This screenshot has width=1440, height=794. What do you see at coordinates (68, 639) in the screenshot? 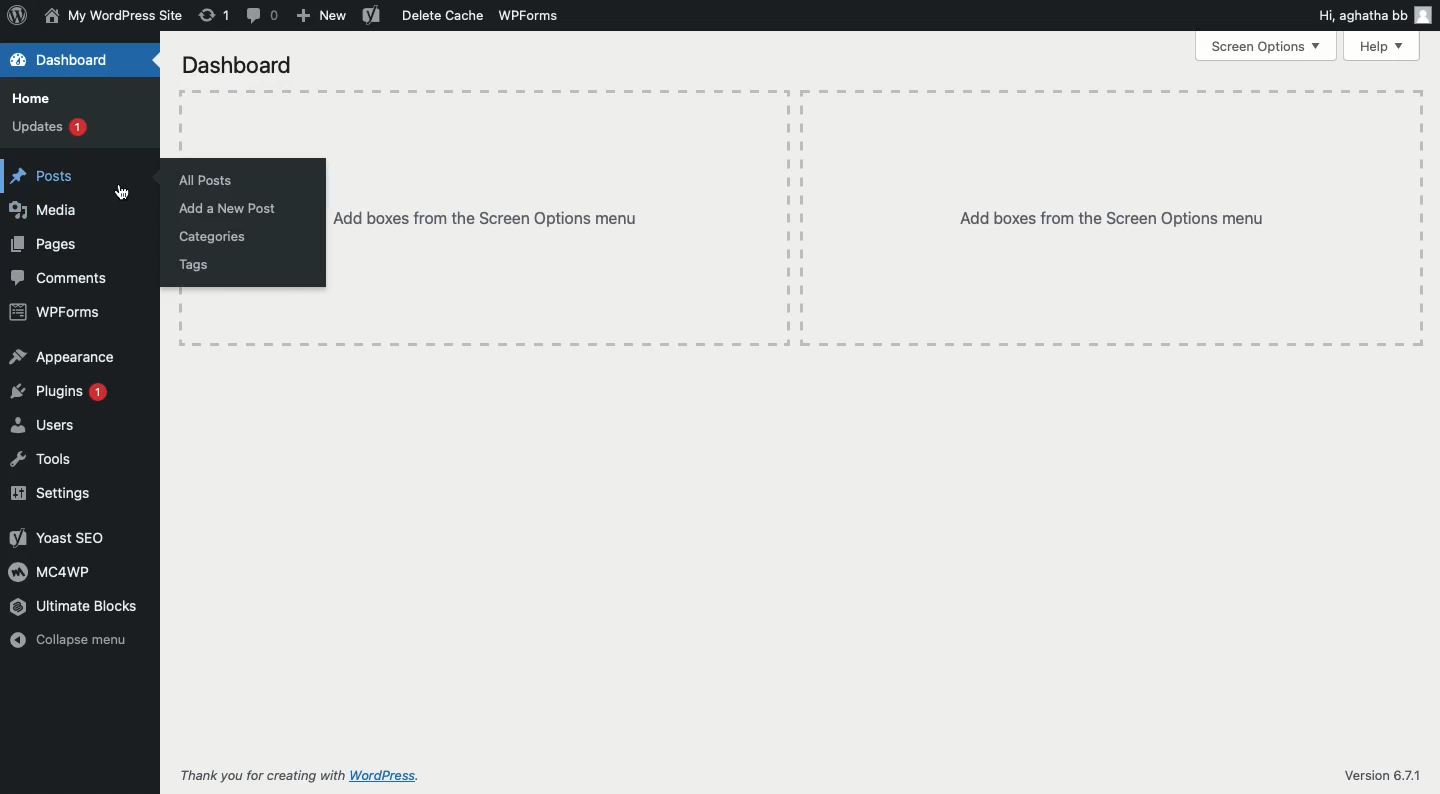
I see `Collapse menu` at bounding box center [68, 639].